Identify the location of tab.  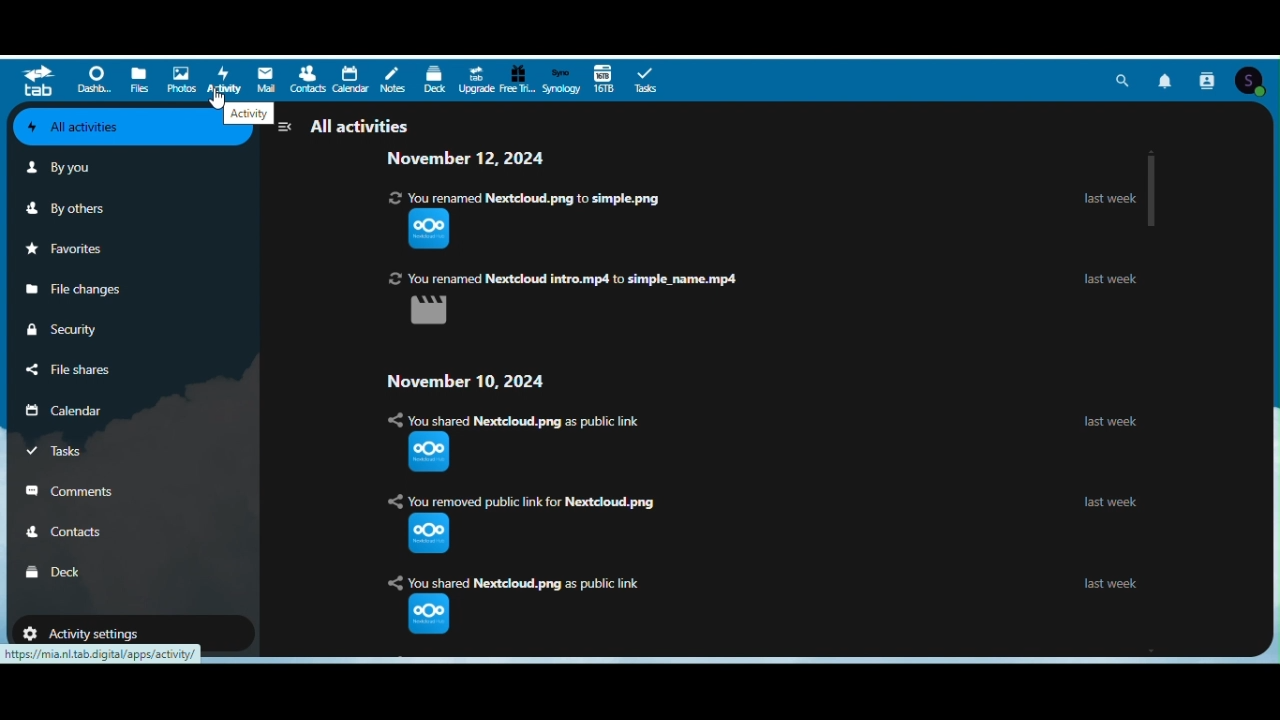
(37, 81).